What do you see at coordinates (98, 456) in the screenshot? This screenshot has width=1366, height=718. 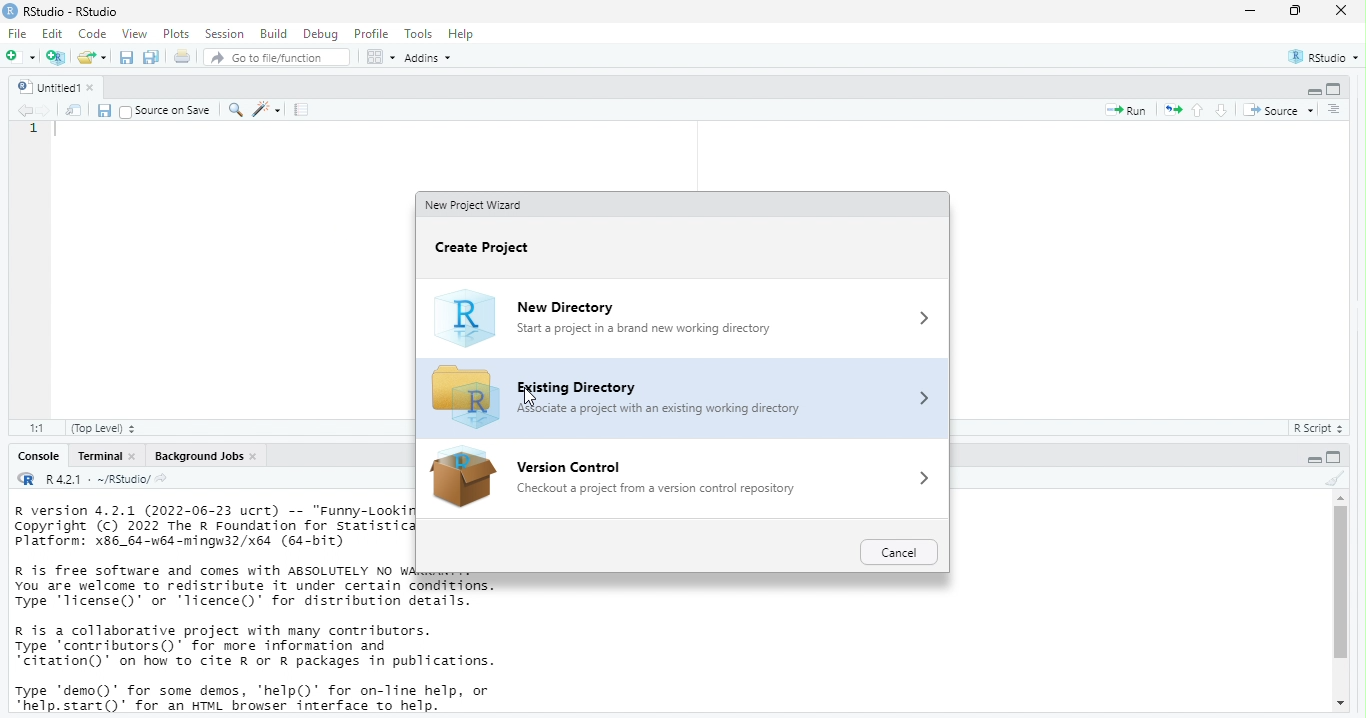 I see `terminal` at bounding box center [98, 456].